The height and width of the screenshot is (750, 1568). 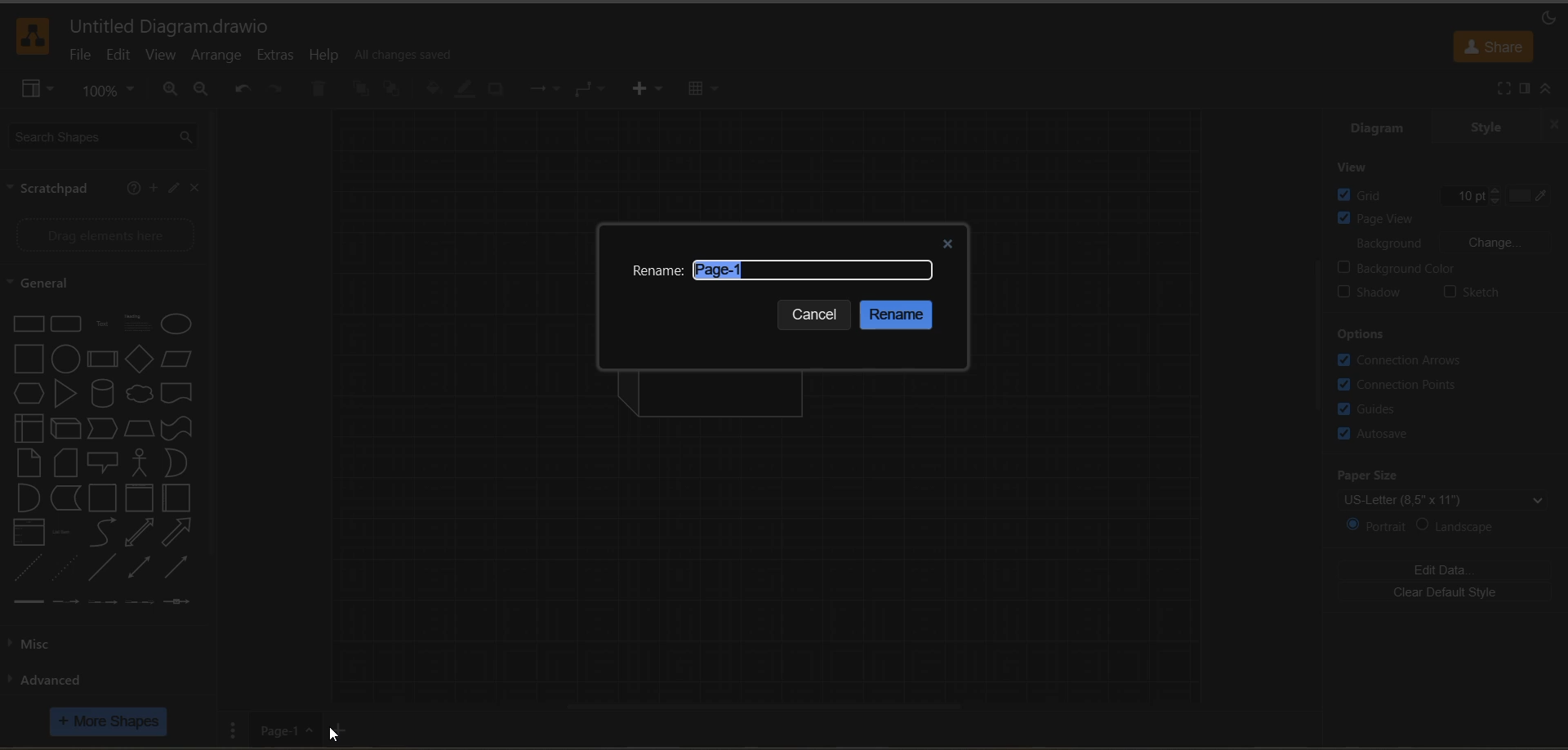 I want to click on misc, so click(x=46, y=644).